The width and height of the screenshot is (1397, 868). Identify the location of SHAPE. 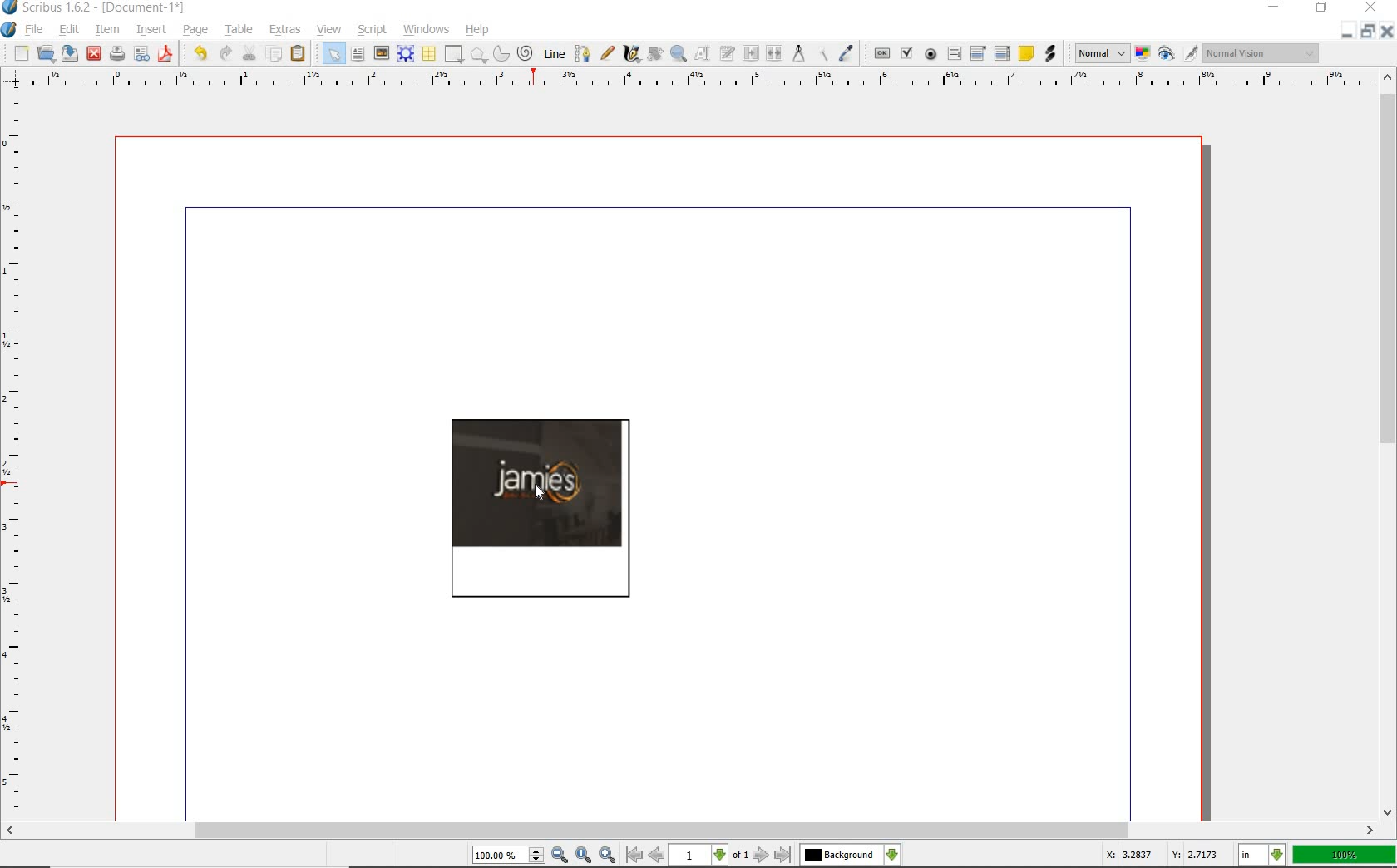
(454, 54).